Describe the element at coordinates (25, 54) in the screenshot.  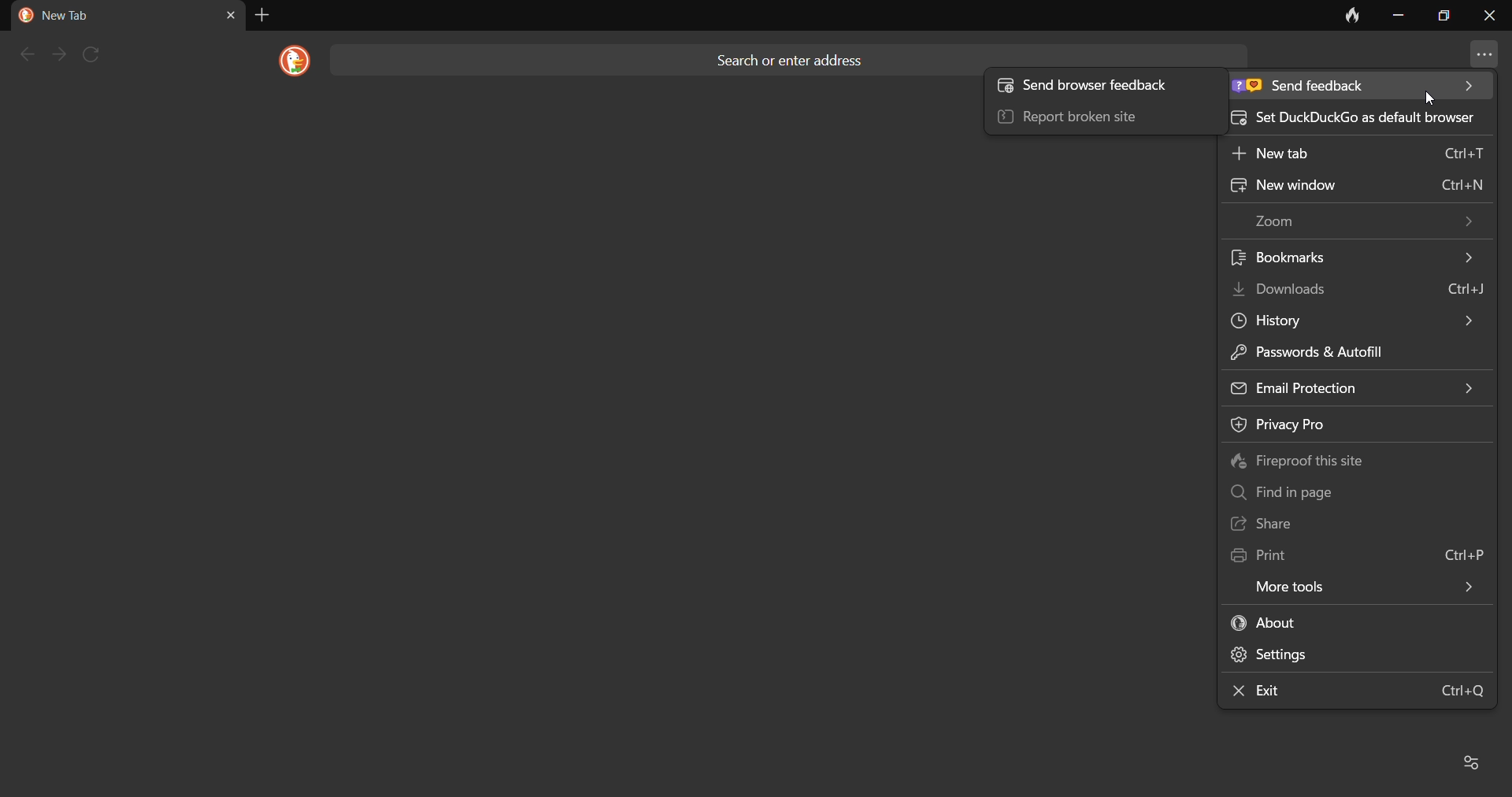
I see `back` at that location.